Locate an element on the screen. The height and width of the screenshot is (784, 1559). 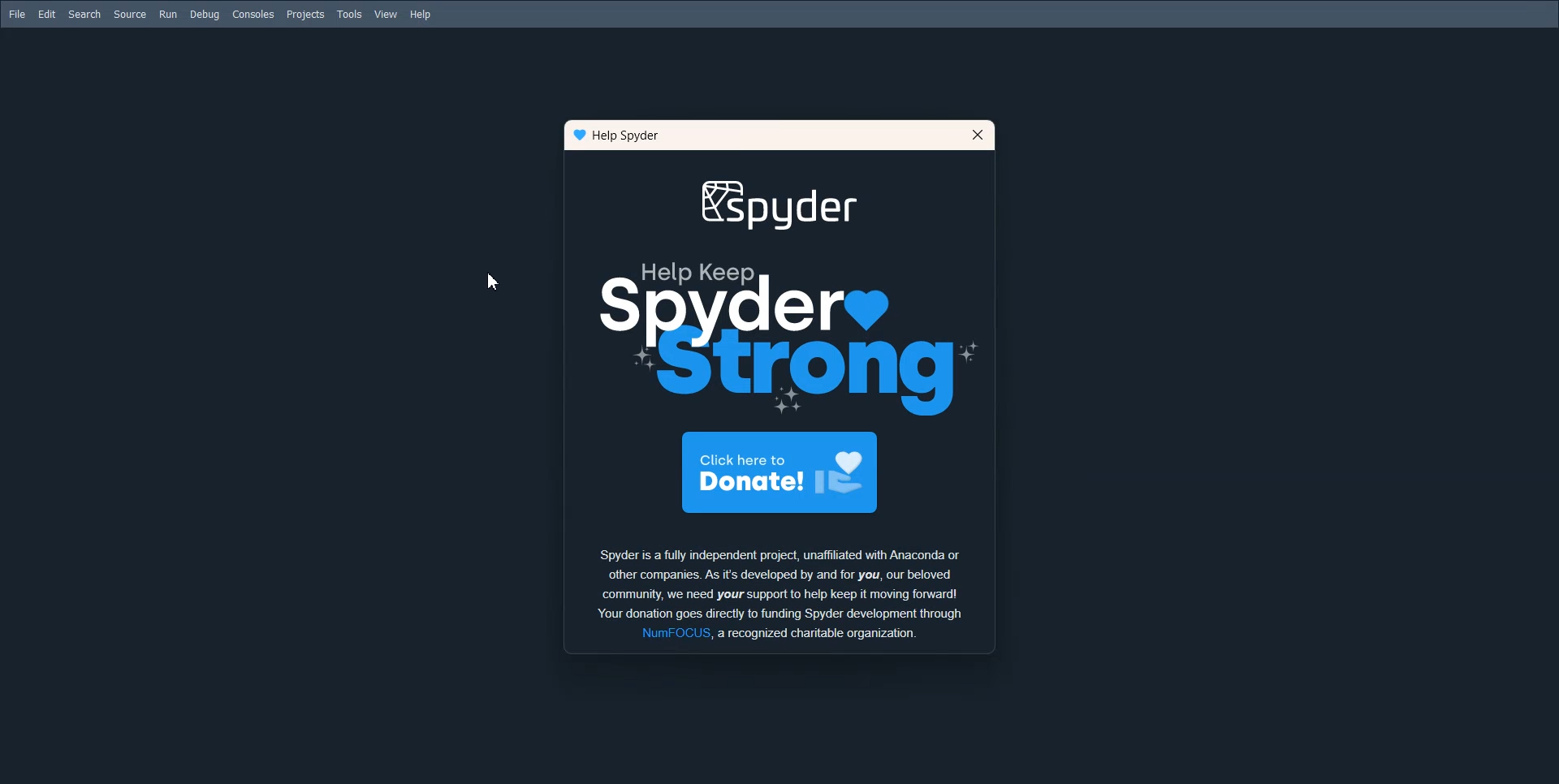
Source is located at coordinates (130, 15).